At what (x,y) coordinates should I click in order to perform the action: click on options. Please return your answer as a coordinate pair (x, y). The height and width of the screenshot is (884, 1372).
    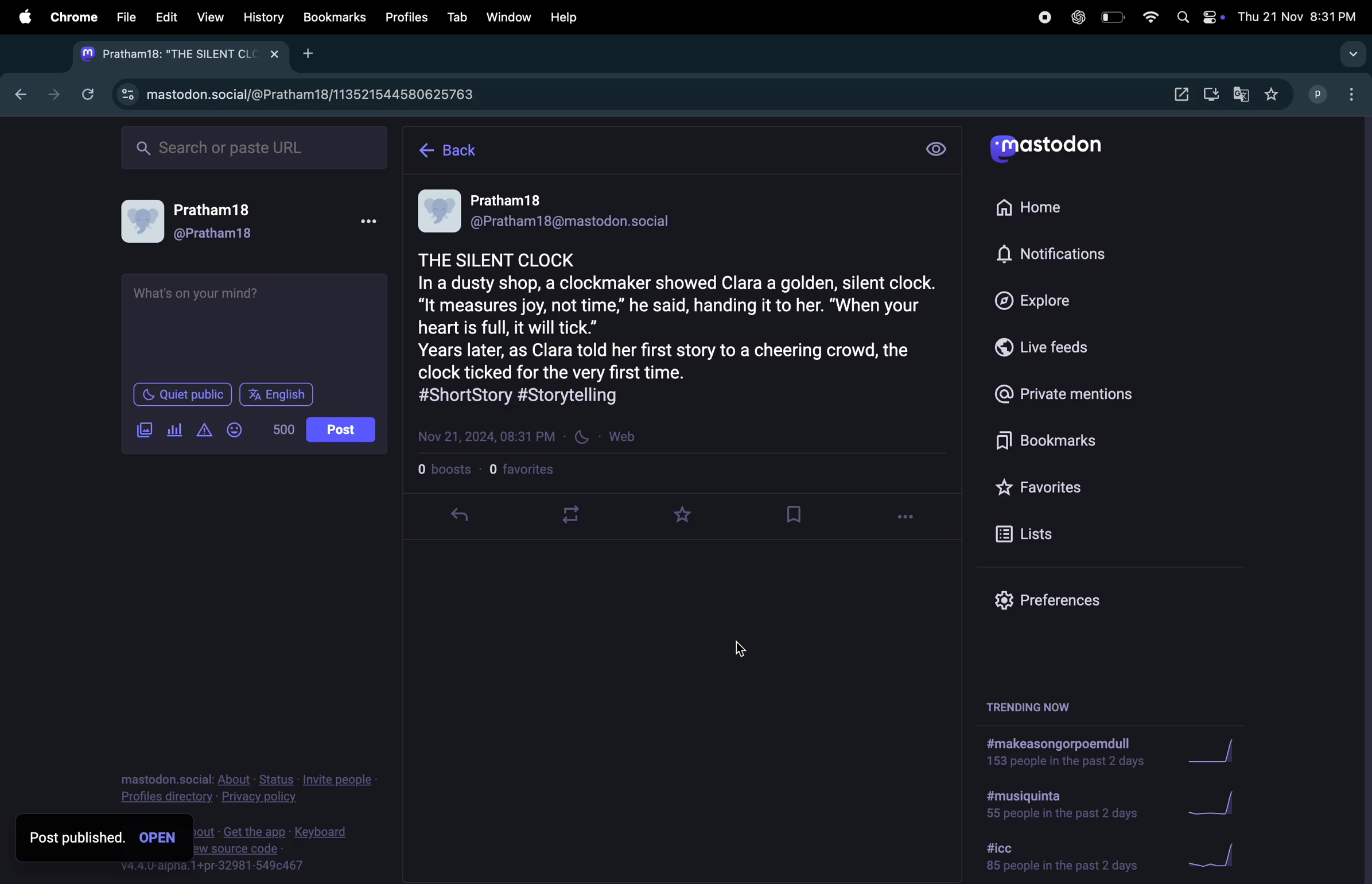
    Looking at the image, I should click on (910, 517).